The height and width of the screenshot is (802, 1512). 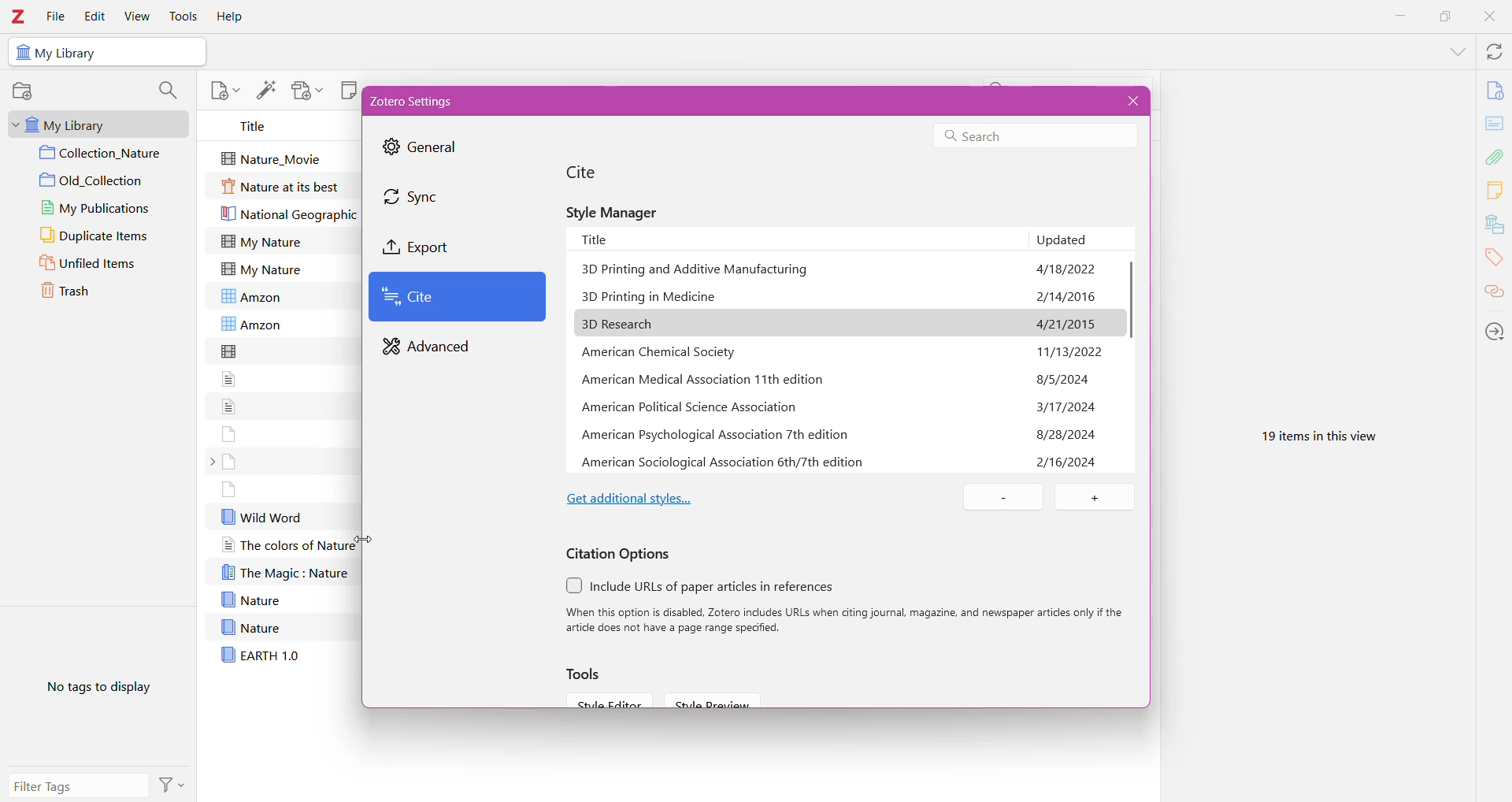 I want to click on Include URLs of paper articles in references, so click(x=717, y=587).